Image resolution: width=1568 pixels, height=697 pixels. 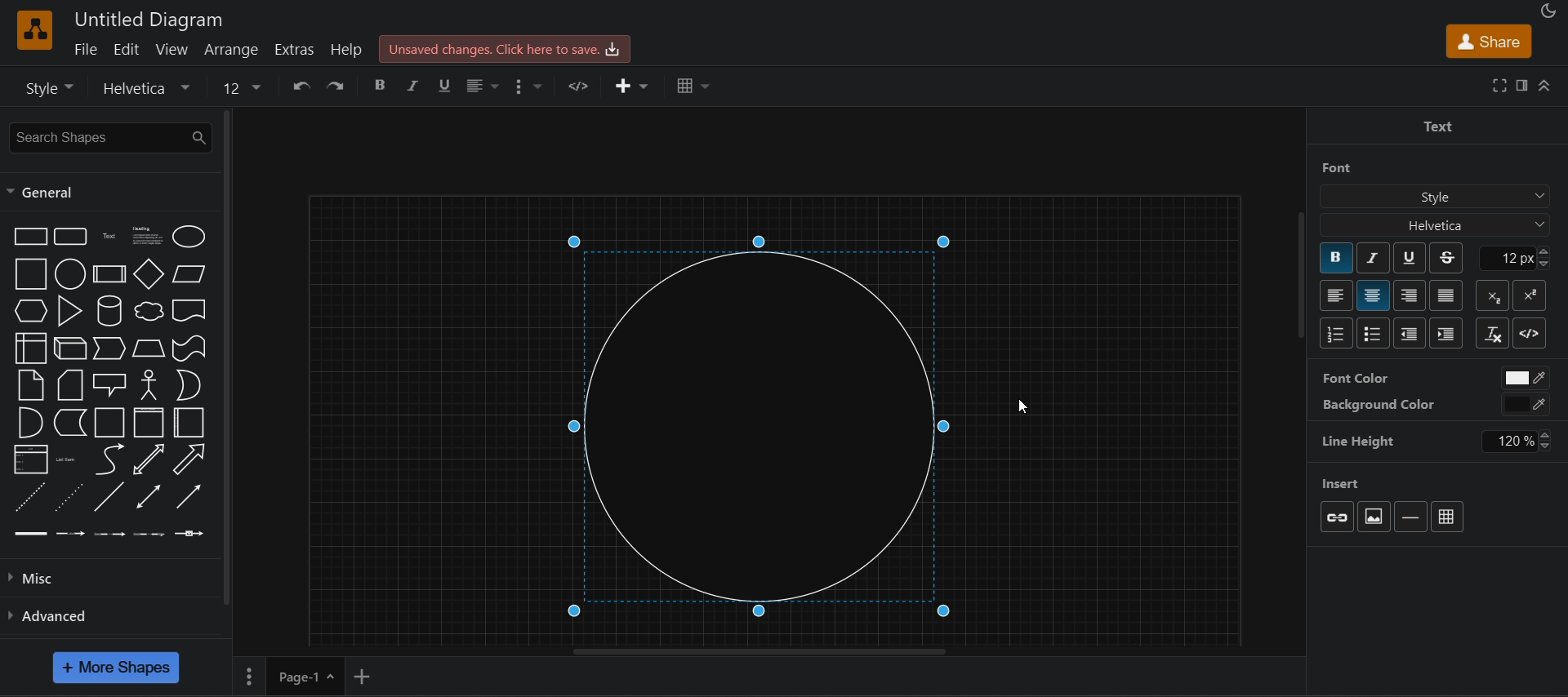 I want to click on decrease indent, so click(x=1411, y=333).